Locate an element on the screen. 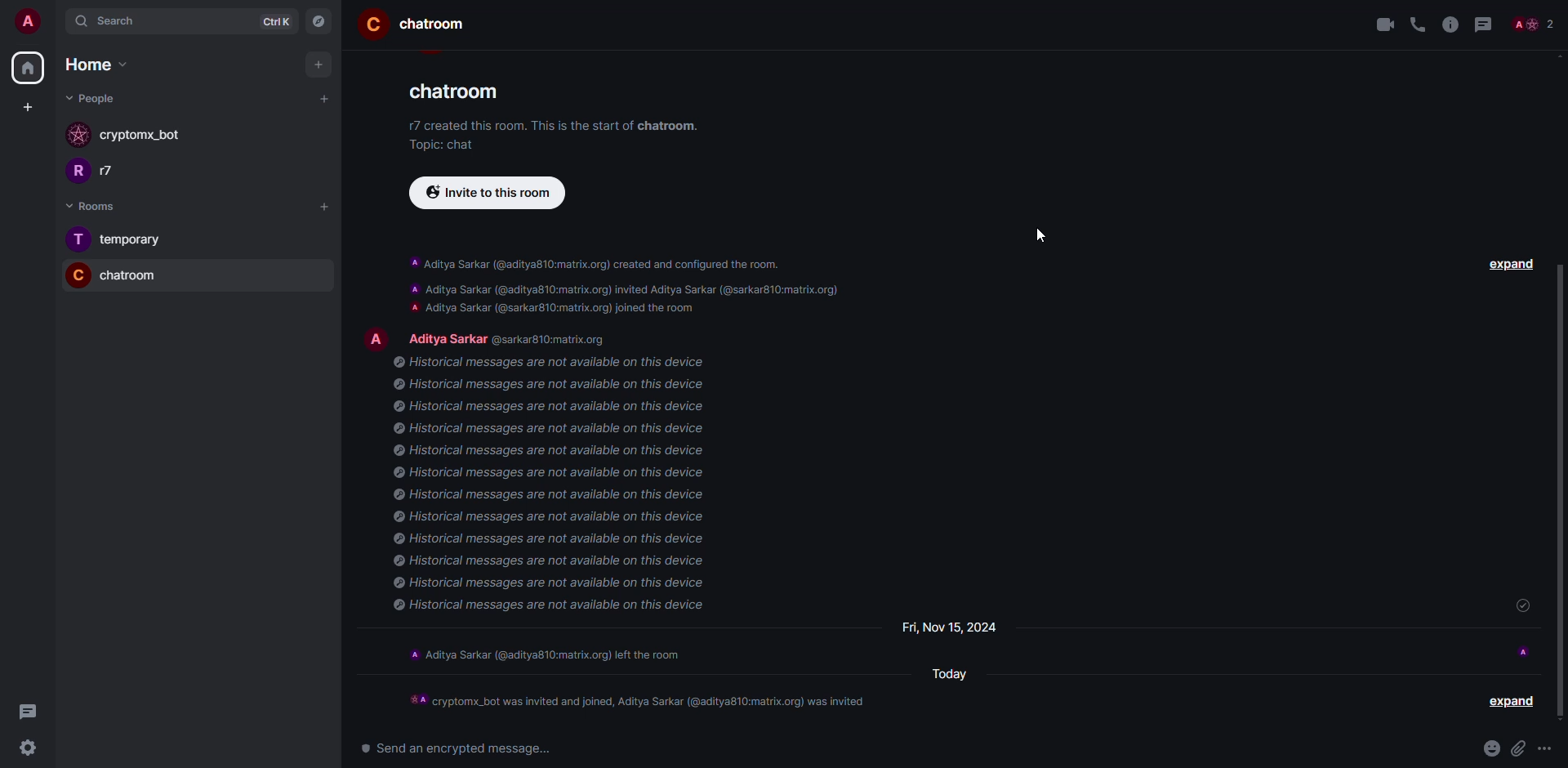 The height and width of the screenshot is (768, 1568). voice call is located at coordinates (1421, 25).